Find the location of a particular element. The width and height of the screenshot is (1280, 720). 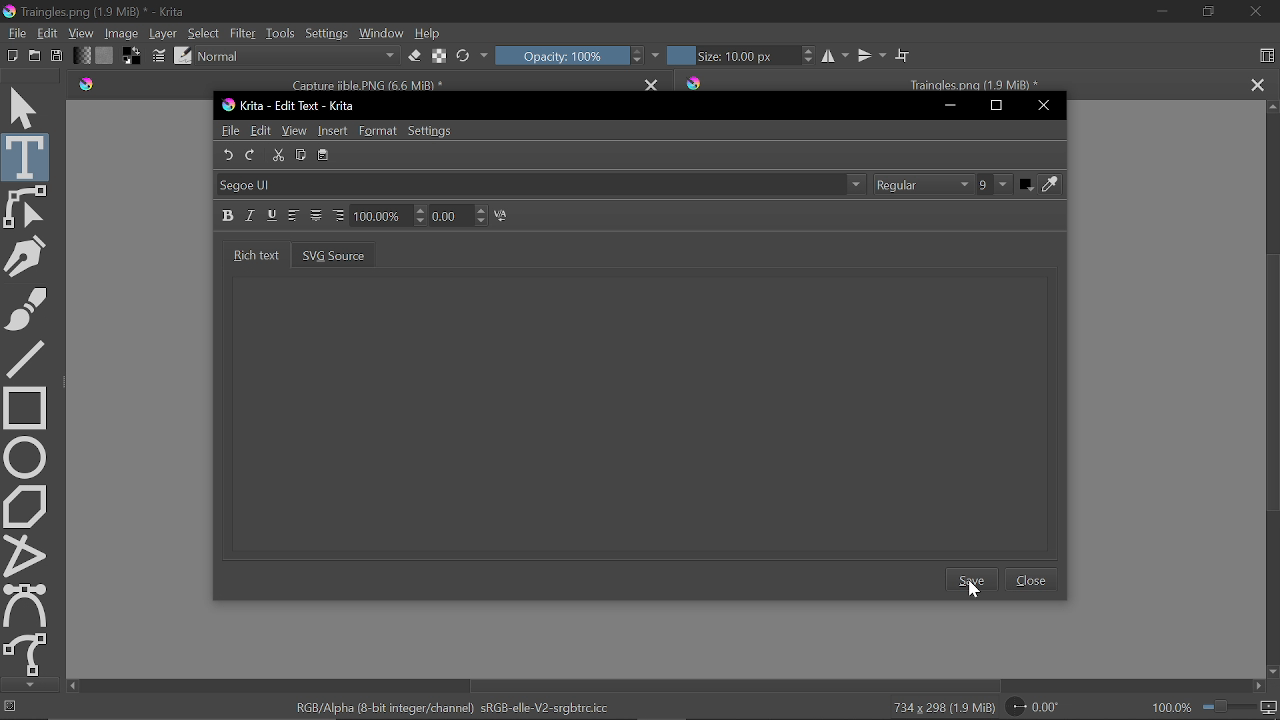

Cut is located at coordinates (279, 157).